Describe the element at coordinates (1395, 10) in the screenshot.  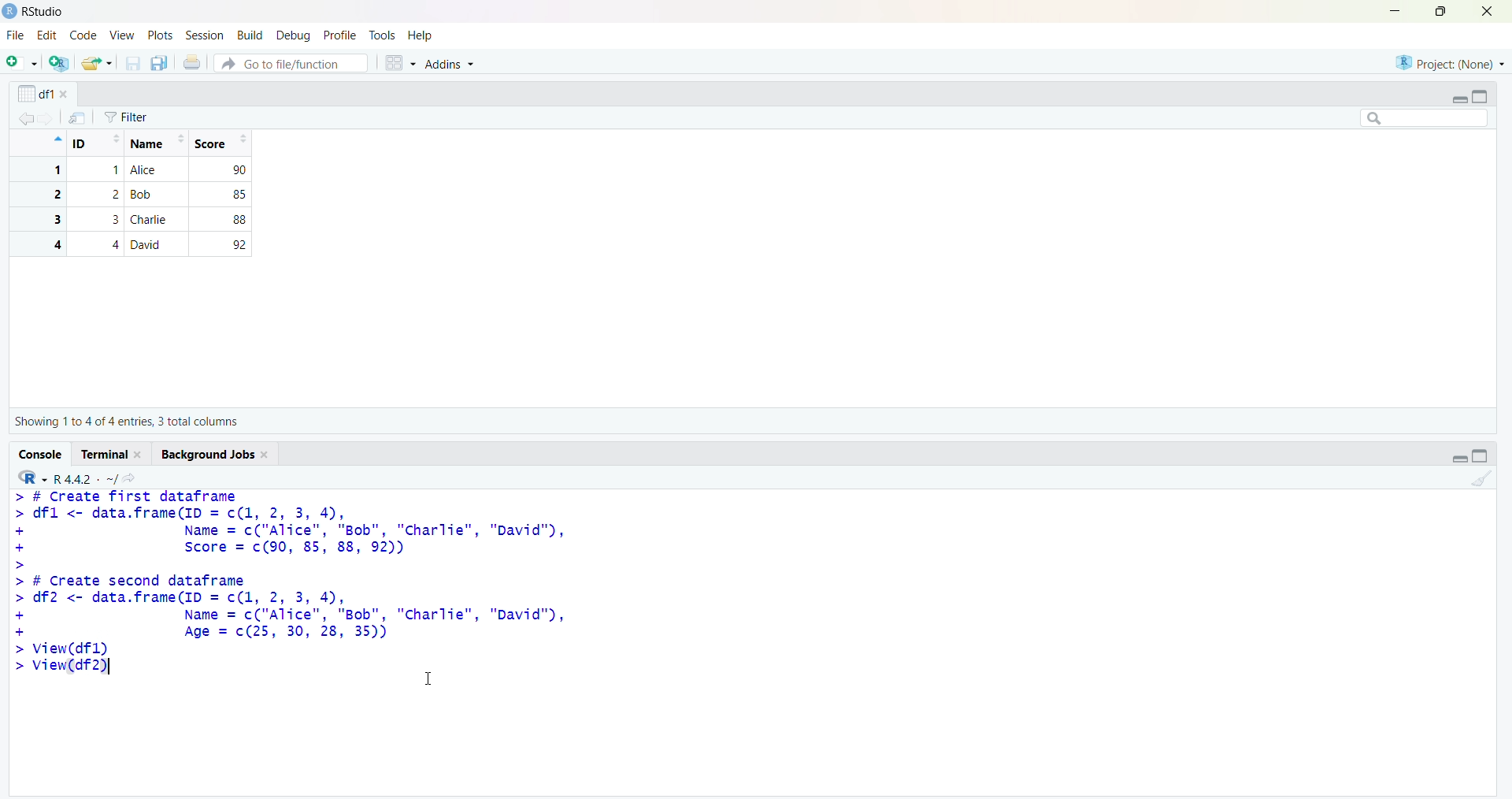
I see `minimise` at that location.